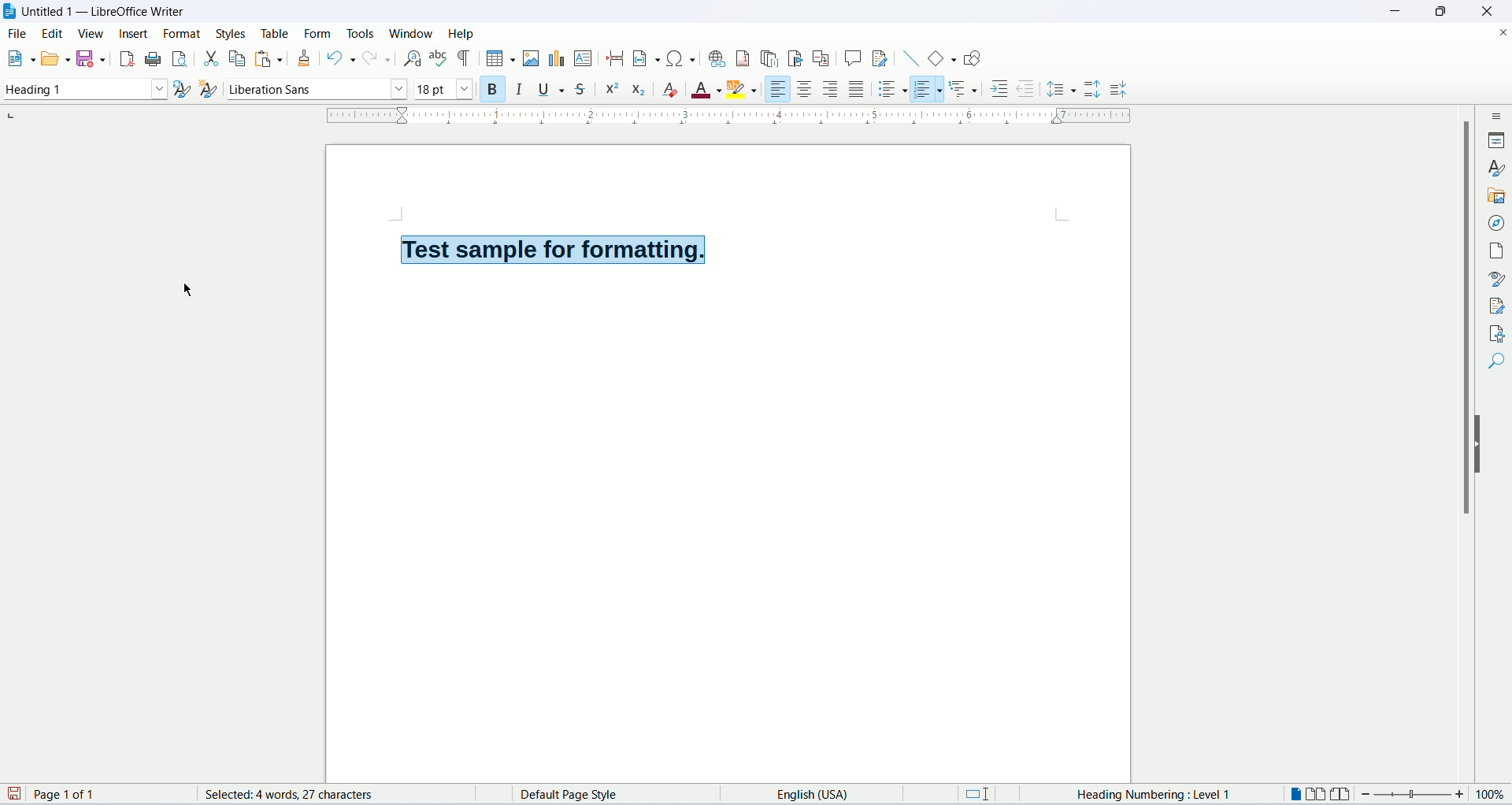  I want to click on edit, so click(54, 35).